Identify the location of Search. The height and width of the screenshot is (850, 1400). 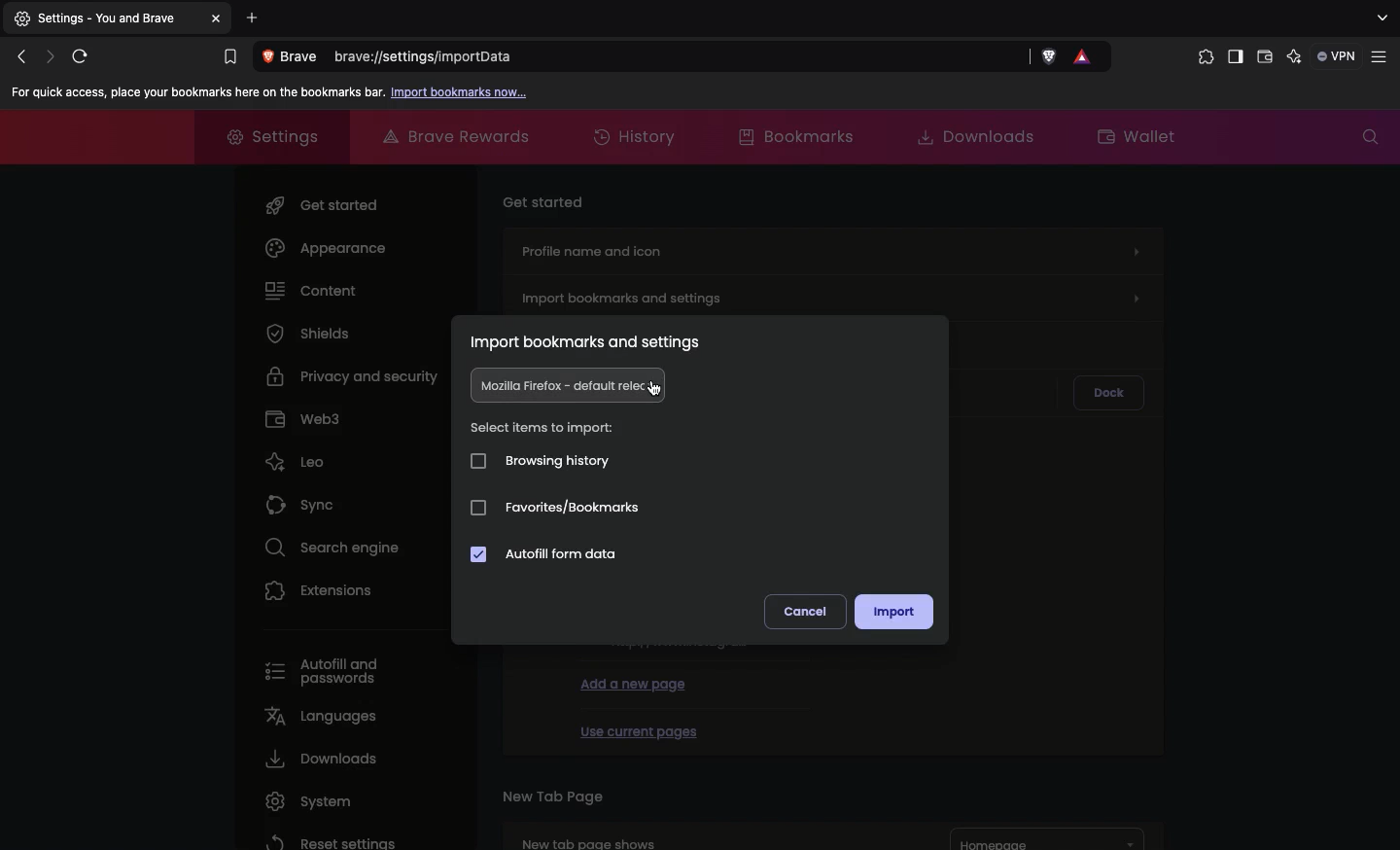
(1370, 137).